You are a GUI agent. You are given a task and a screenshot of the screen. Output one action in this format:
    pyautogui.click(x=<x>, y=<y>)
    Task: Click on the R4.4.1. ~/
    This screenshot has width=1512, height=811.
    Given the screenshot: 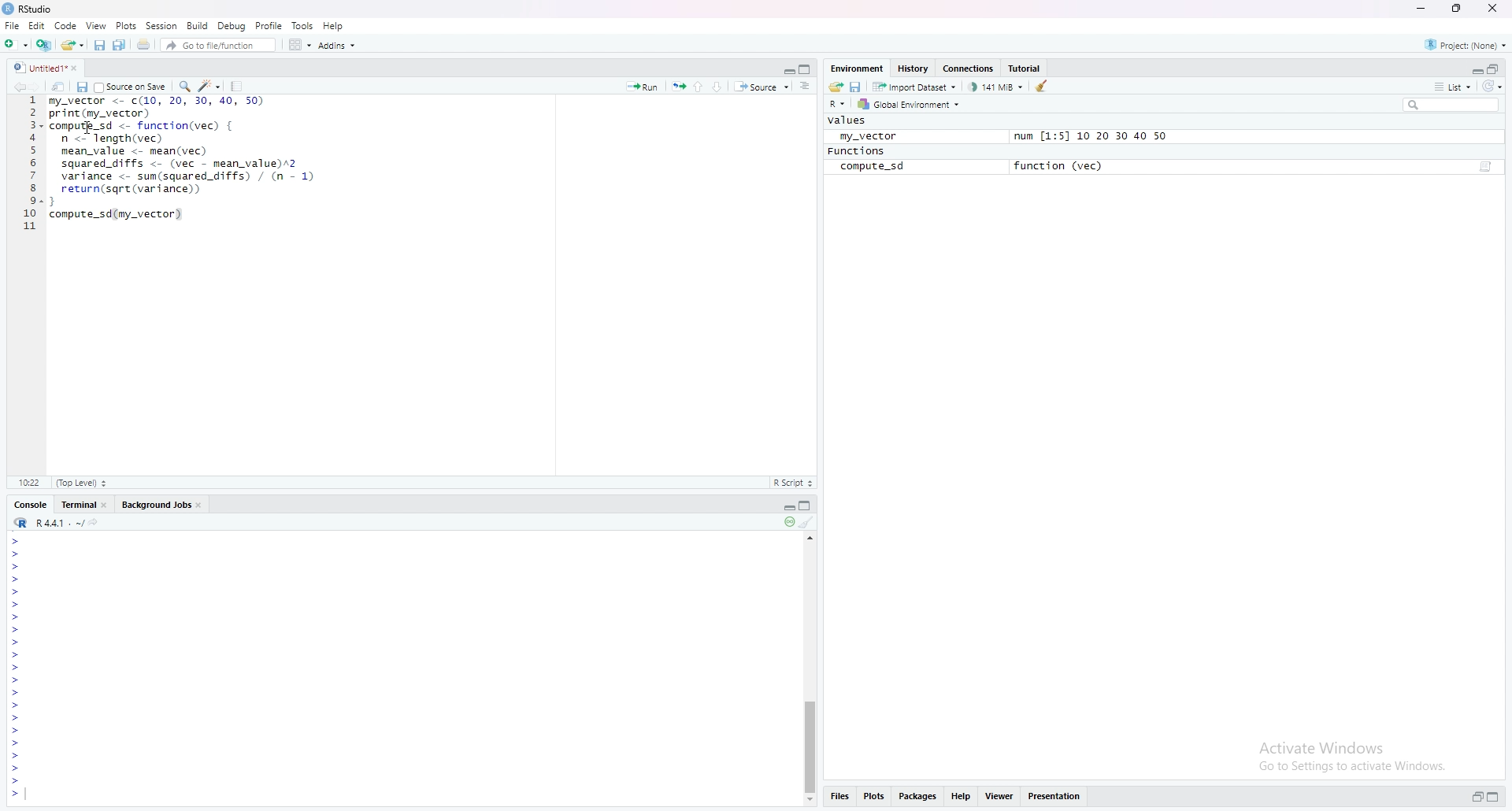 What is the action you would take?
    pyautogui.click(x=60, y=522)
    